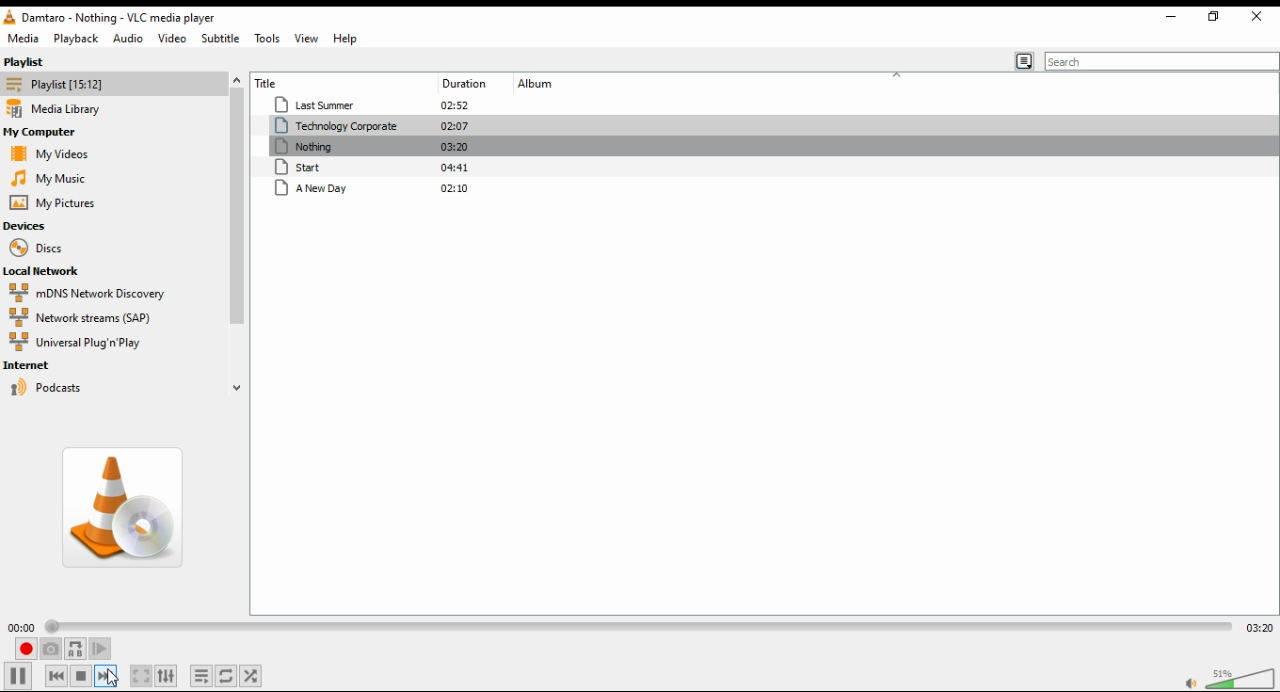 The height and width of the screenshot is (692, 1280). I want to click on start, so click(372, 167).